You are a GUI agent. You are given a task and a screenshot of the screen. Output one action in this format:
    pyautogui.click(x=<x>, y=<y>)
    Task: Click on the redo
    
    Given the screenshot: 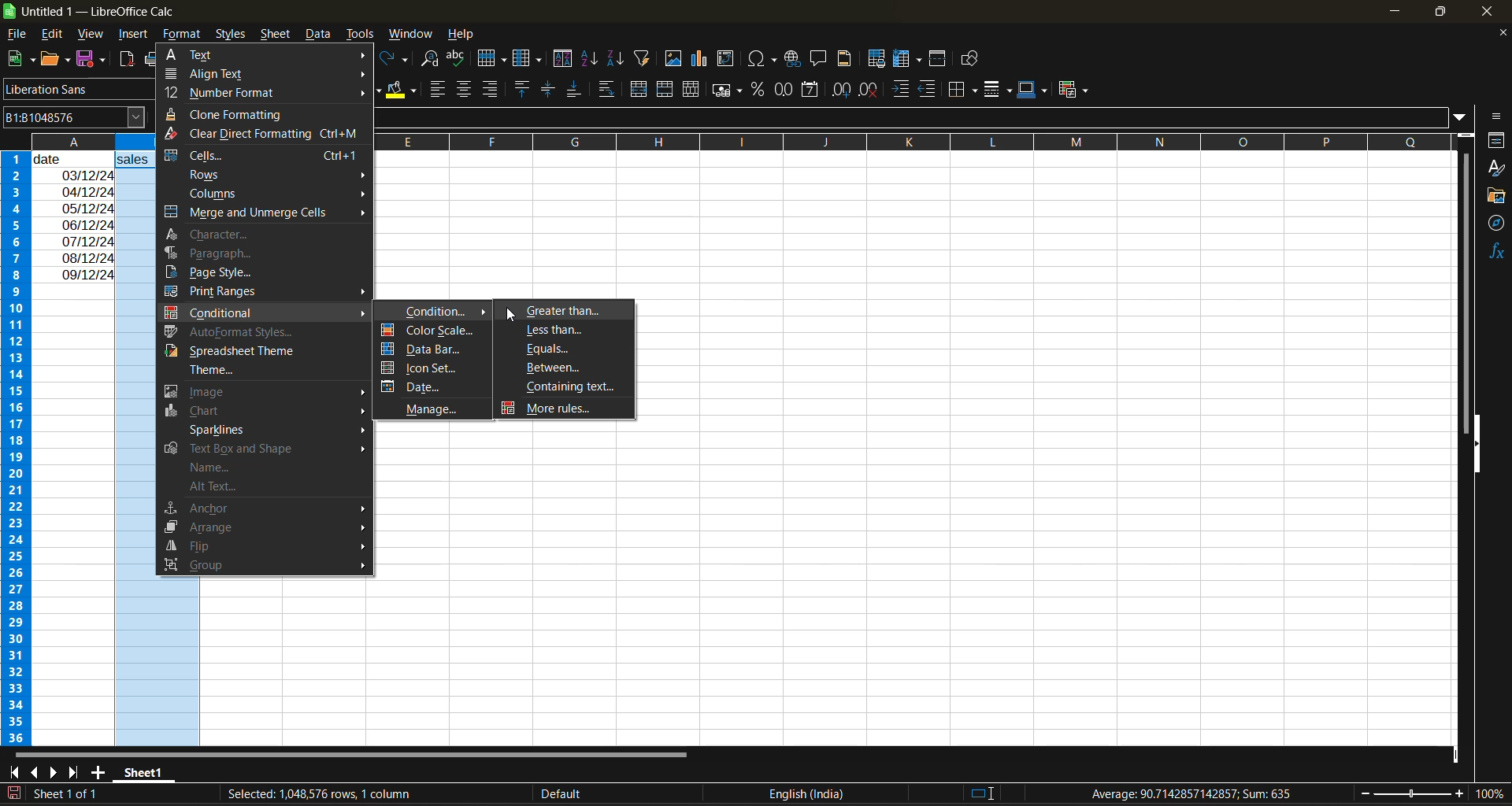 What is the action you would take?
    pyautogui.click(x=397, y=59)
    